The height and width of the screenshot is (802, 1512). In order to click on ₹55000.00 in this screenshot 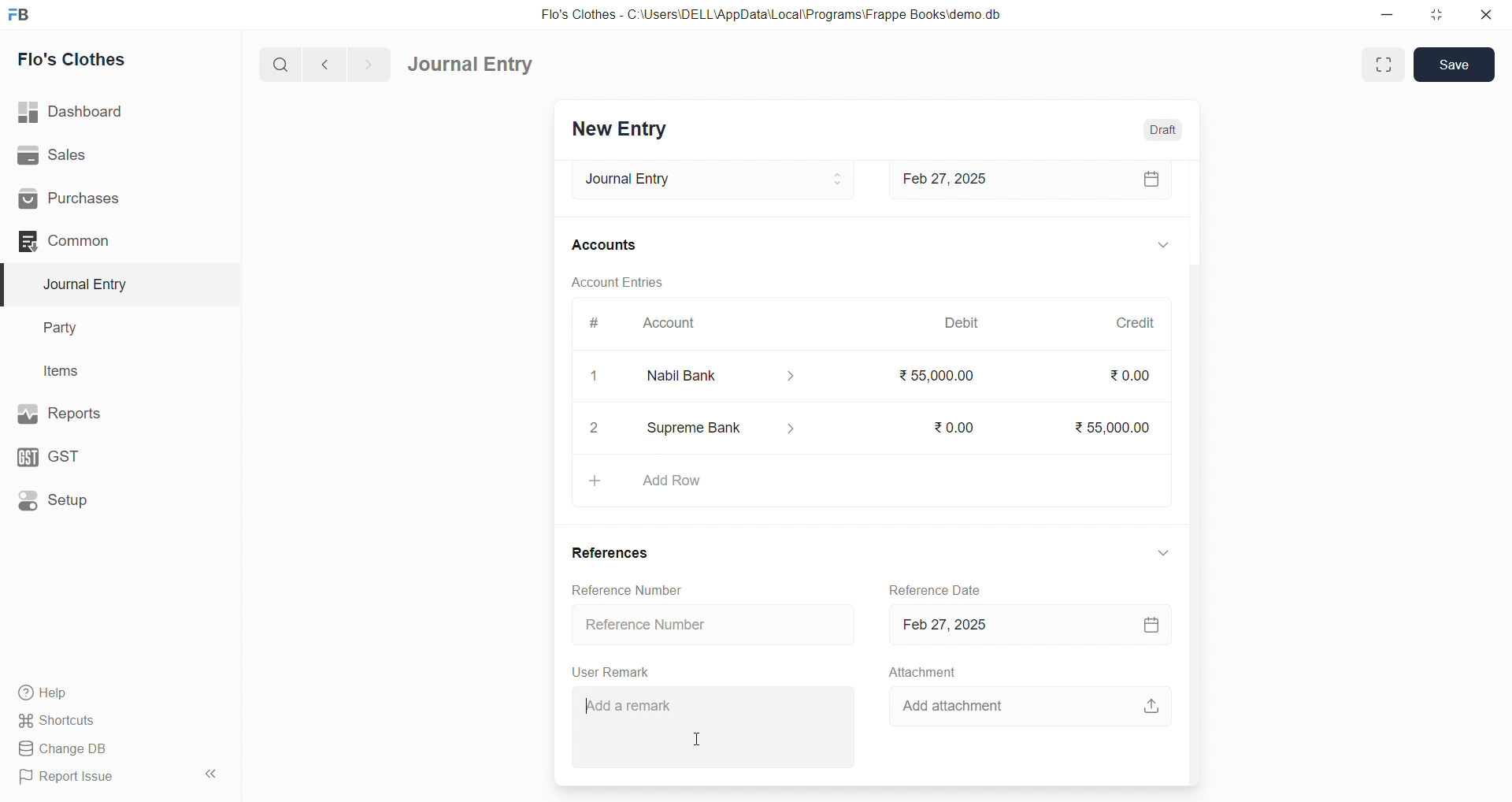, I will do `click(931, 372)`.